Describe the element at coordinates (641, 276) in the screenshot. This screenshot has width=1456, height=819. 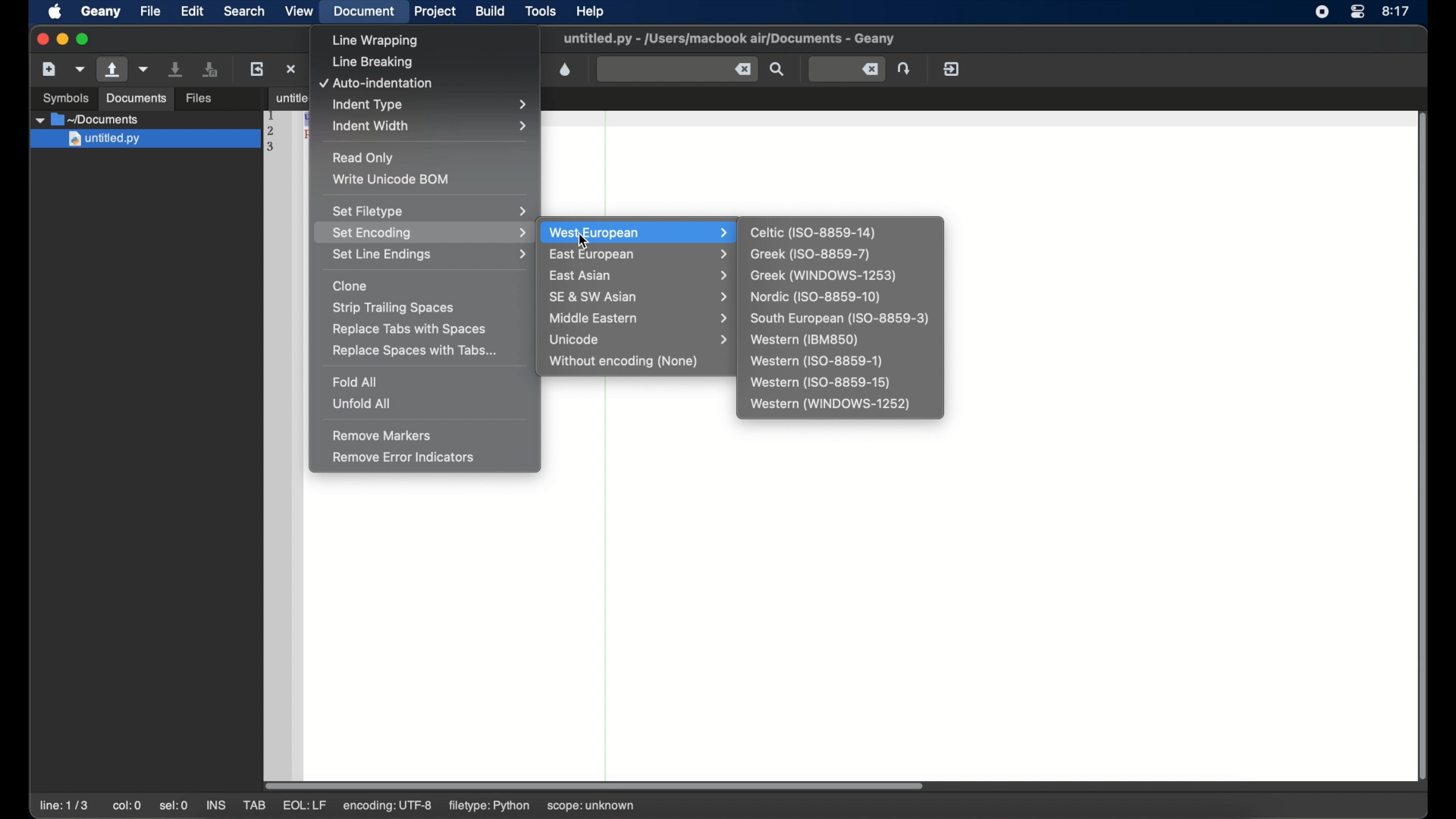
I see `east asian menu` at that location.